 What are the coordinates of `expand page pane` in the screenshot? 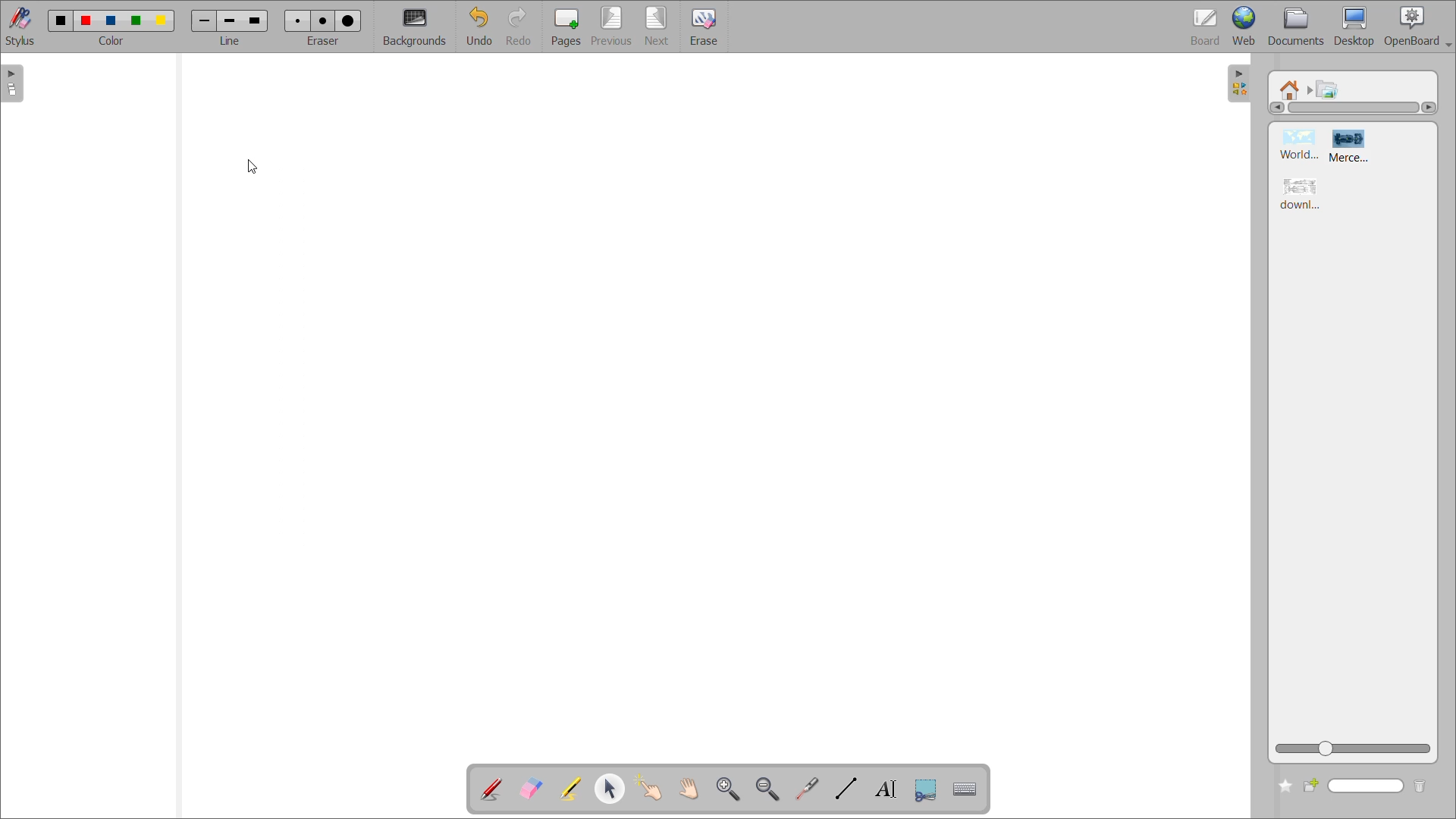 It's located at (13, 86).